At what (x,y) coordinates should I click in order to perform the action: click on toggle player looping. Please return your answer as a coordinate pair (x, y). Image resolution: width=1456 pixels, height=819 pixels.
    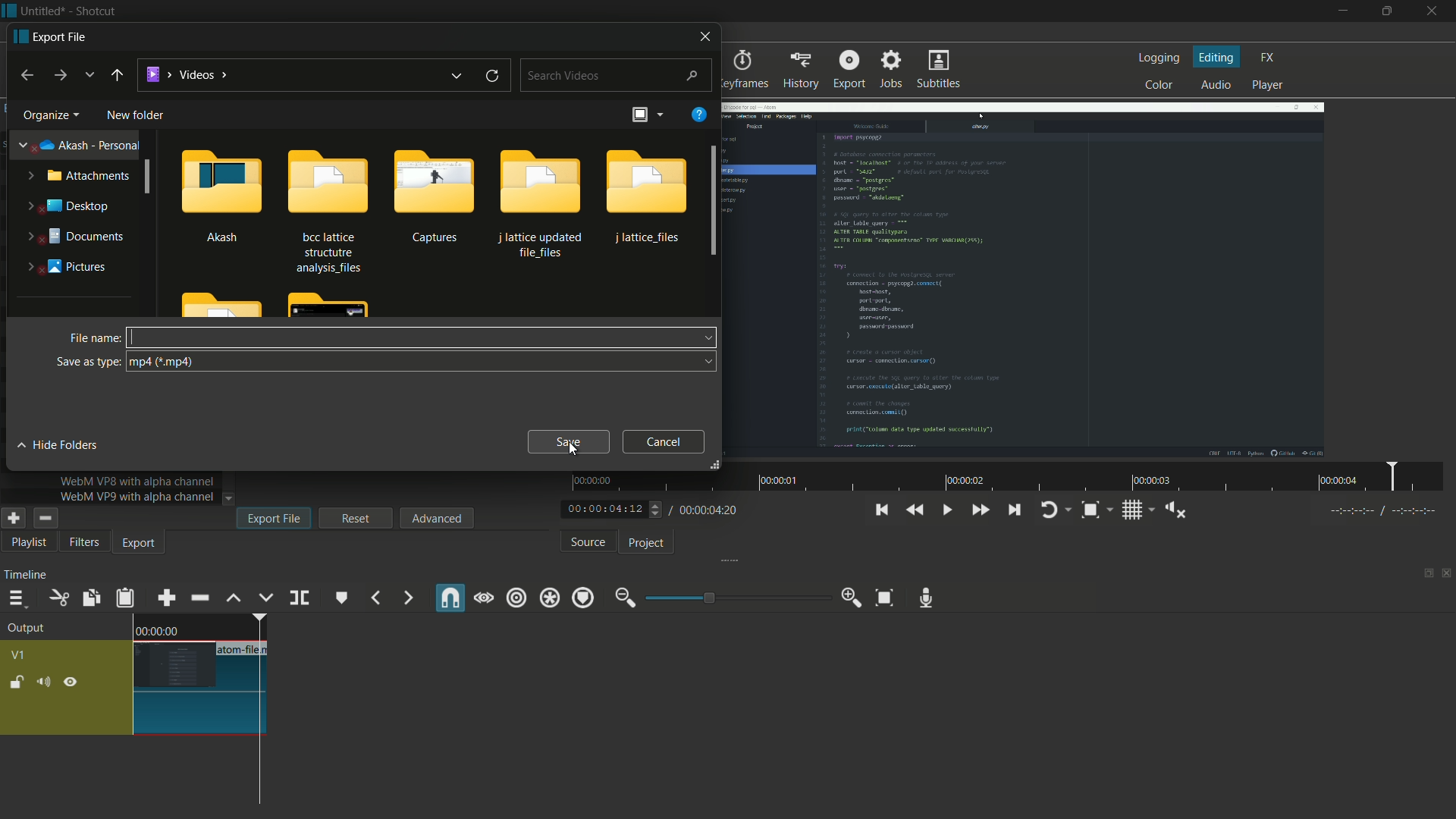
    Looking at the image, I should click on (1049, 511).